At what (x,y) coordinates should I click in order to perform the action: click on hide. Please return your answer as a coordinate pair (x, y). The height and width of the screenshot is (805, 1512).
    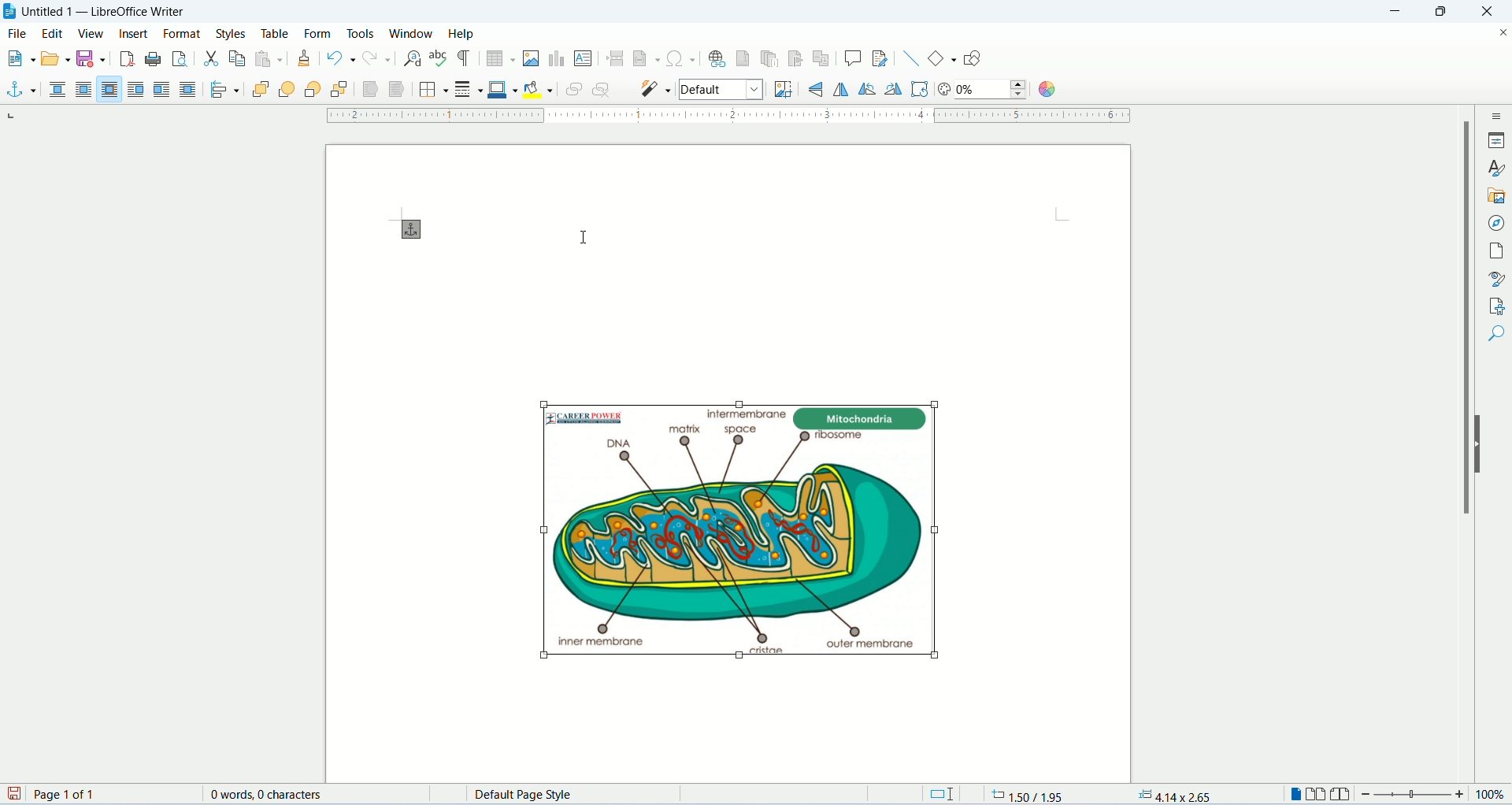
    Looking at the image, I should click on (1480, 443).